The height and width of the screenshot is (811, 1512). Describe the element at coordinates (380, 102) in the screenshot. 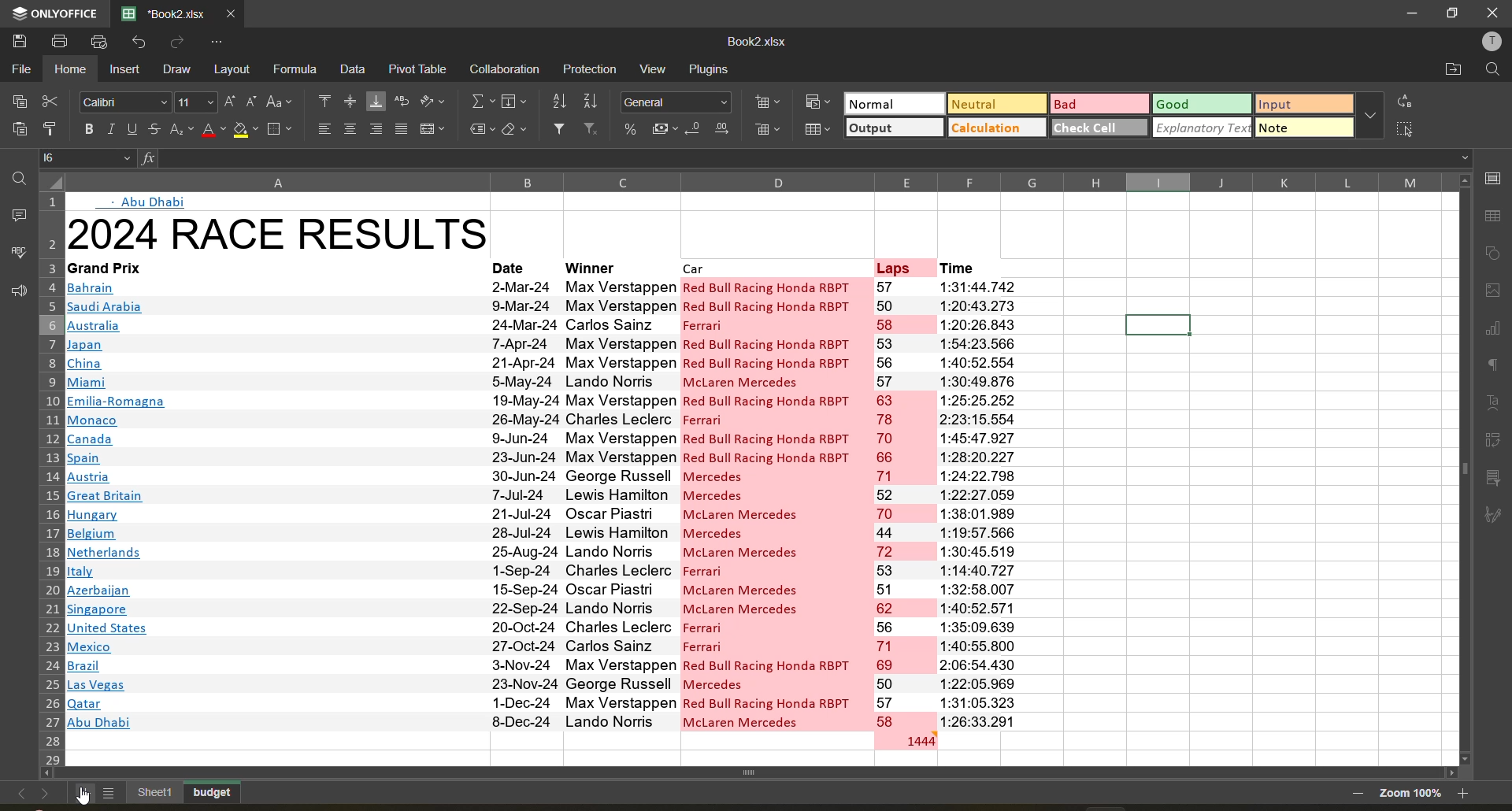

I see `align bottom` at that location.